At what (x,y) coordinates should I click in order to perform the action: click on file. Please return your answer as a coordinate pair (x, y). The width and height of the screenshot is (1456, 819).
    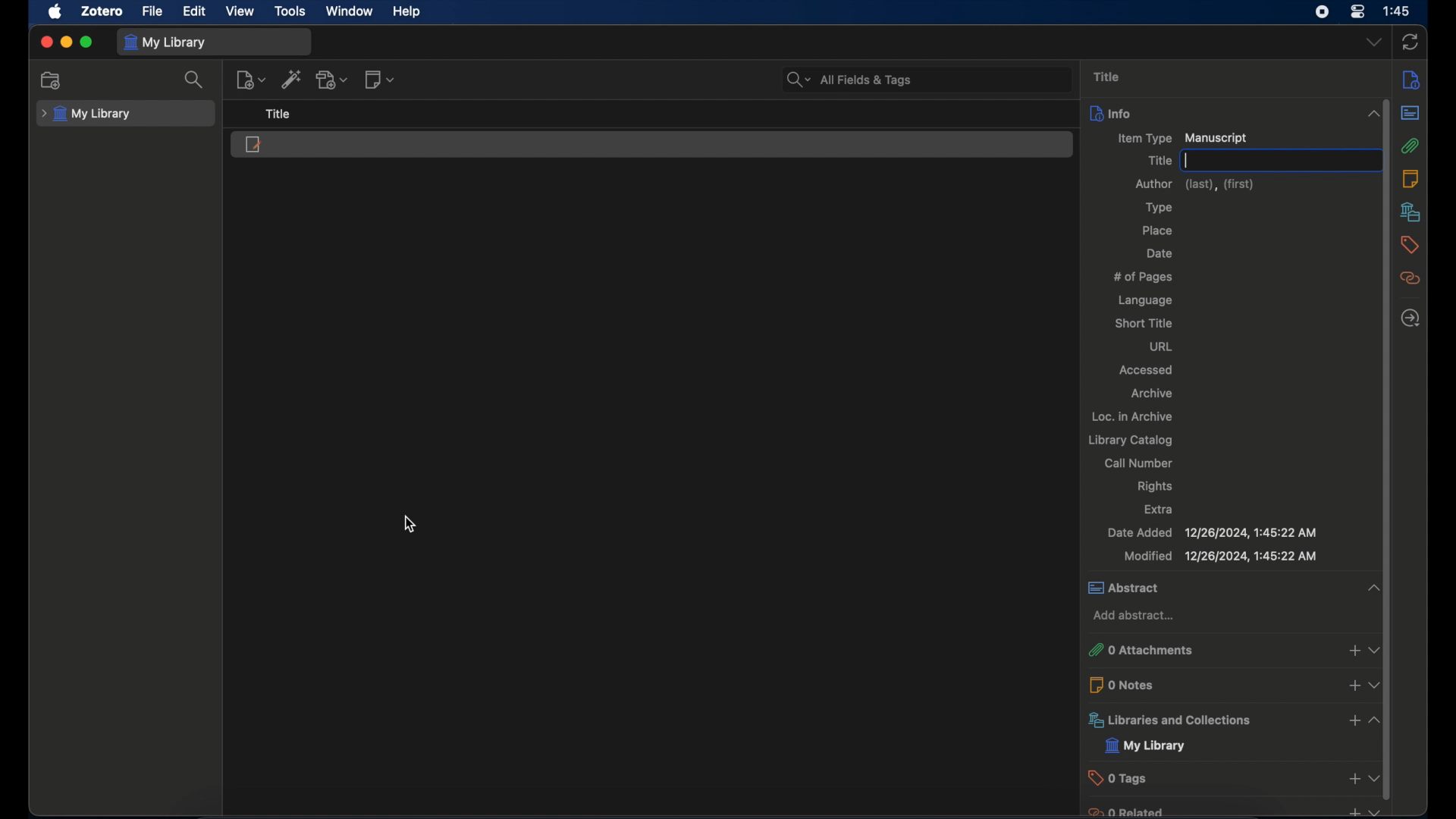
    Looking at the image, I should click on (153, 11).